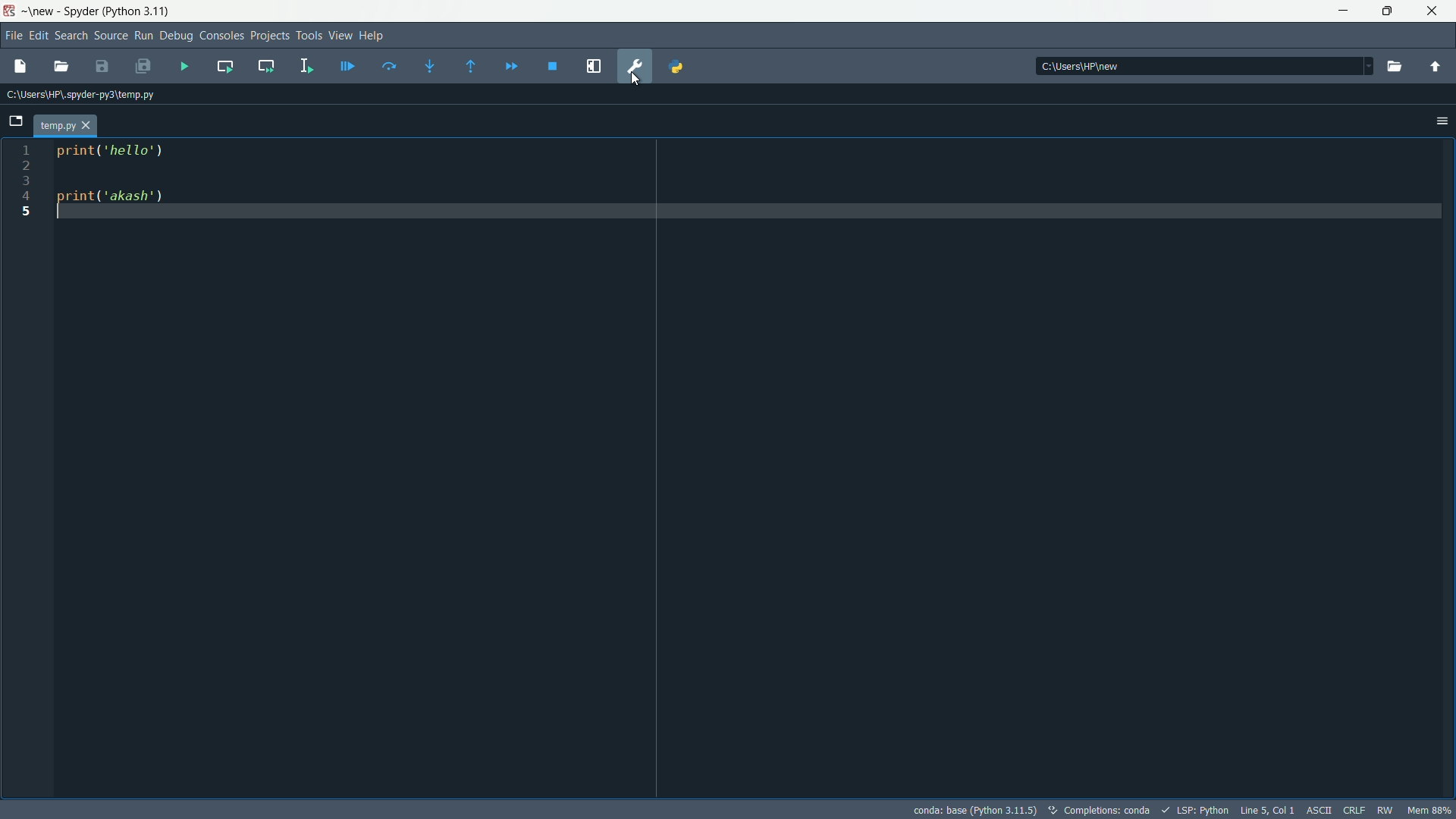  Describe the element at coordinates (121, 158) in the screenshot. I see `print('print hello') ` at that location.